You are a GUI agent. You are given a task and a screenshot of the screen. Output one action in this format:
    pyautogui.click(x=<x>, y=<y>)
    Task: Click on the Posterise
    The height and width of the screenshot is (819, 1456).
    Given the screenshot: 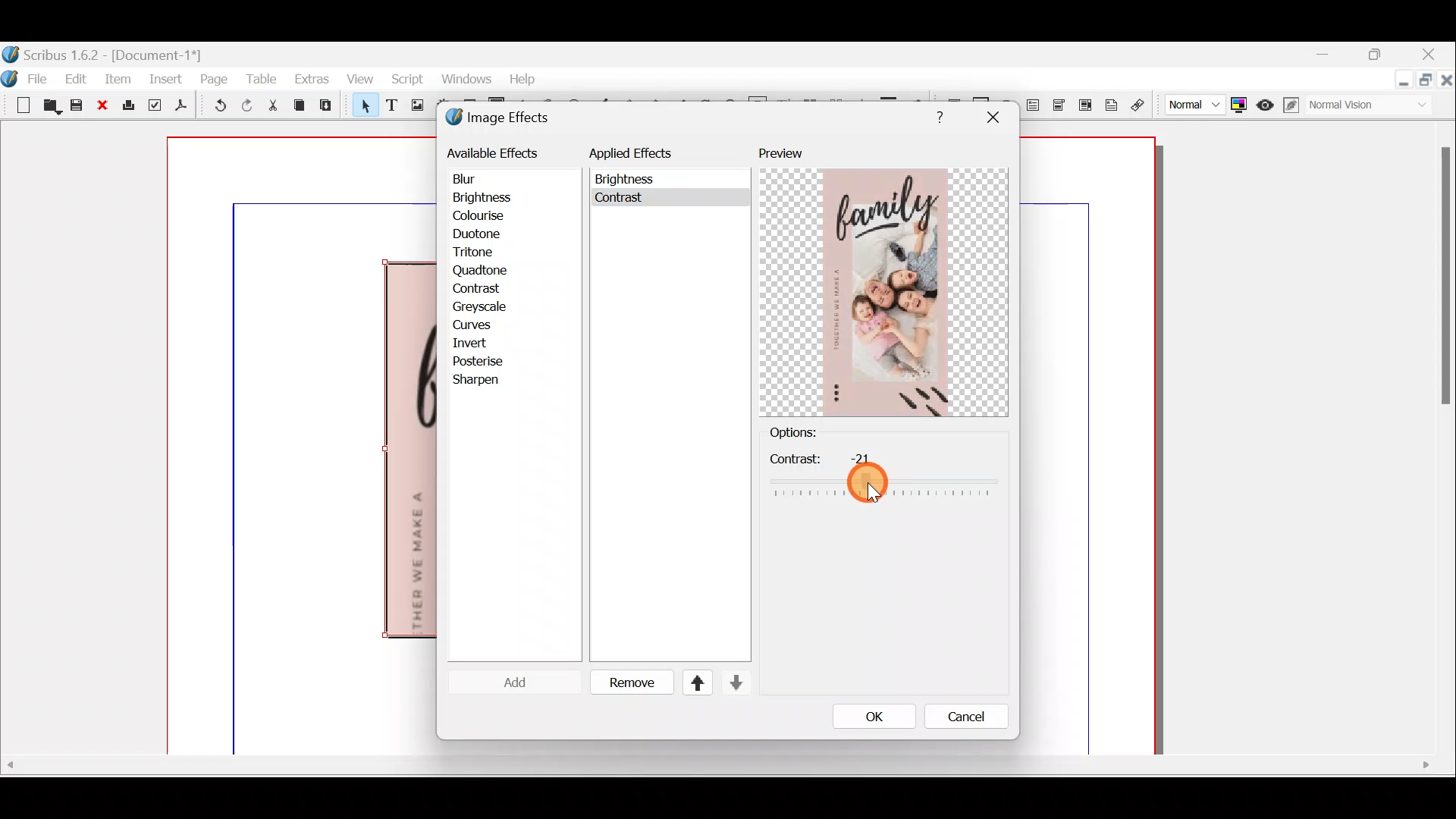 What is the action you would take?
    pyautogui.click(x=488, y=359)
    